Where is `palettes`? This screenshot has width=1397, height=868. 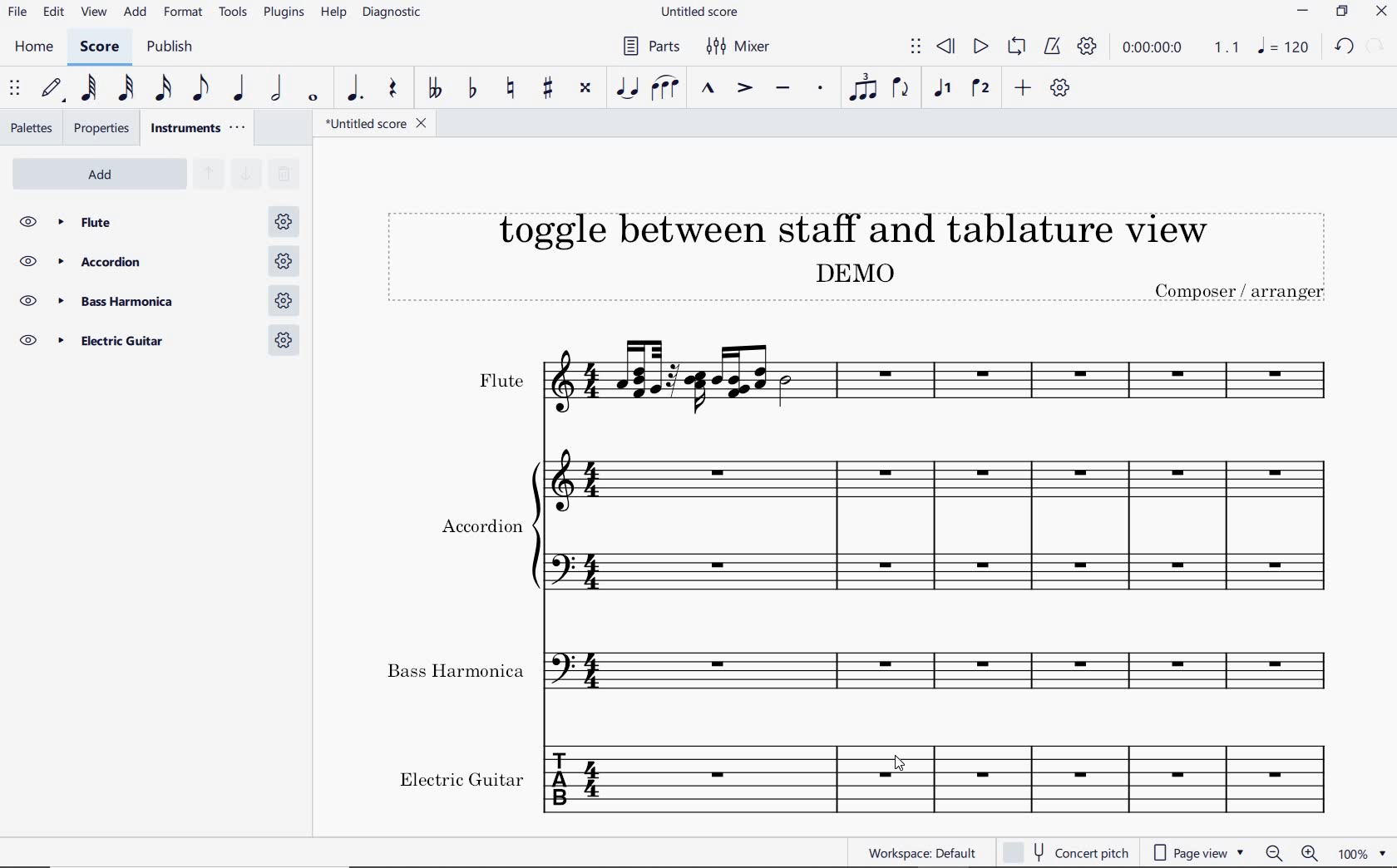
palettes is located at coordinates (33, 126).